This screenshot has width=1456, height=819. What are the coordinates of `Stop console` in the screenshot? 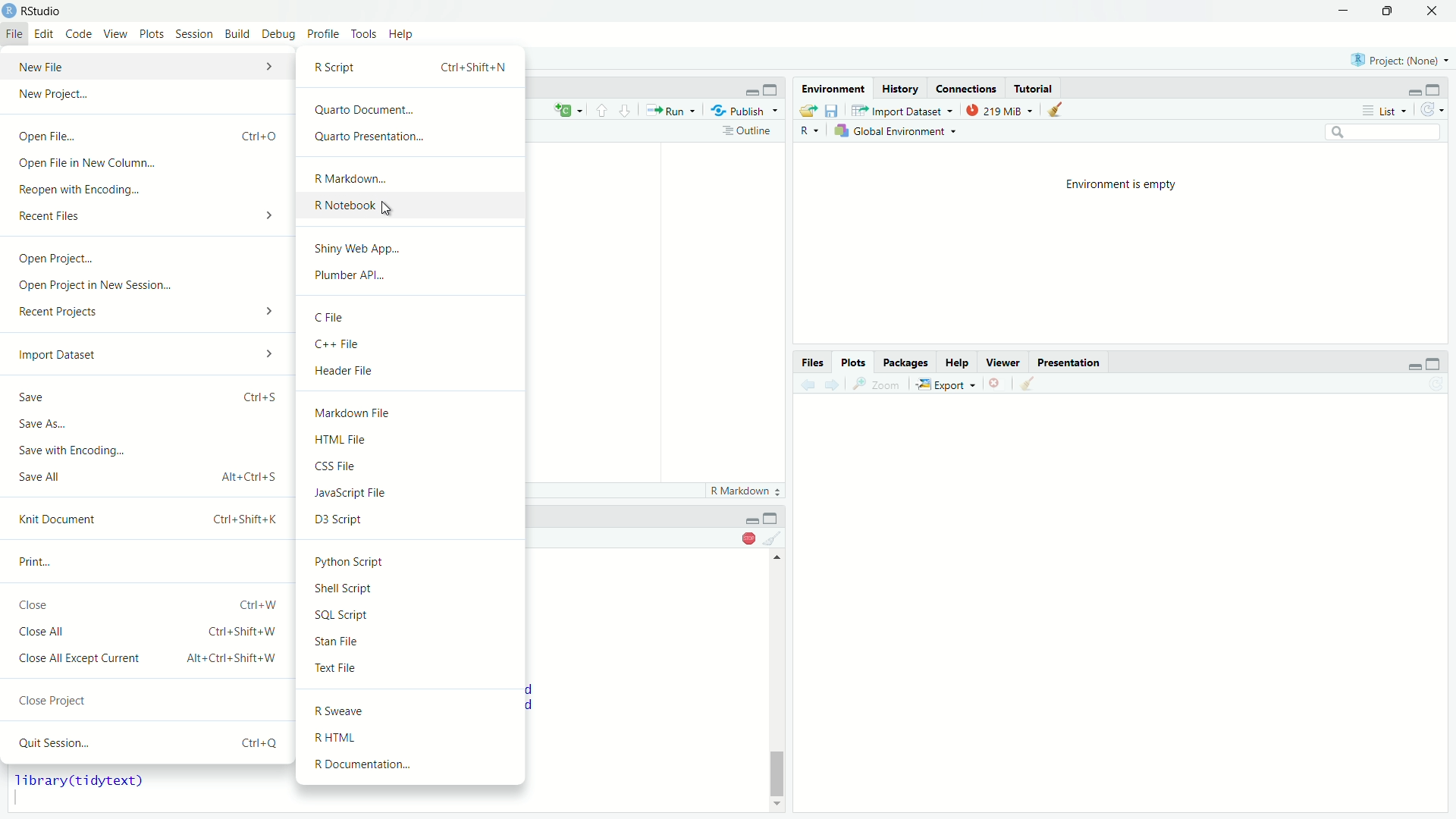 It's located at (748, 538).